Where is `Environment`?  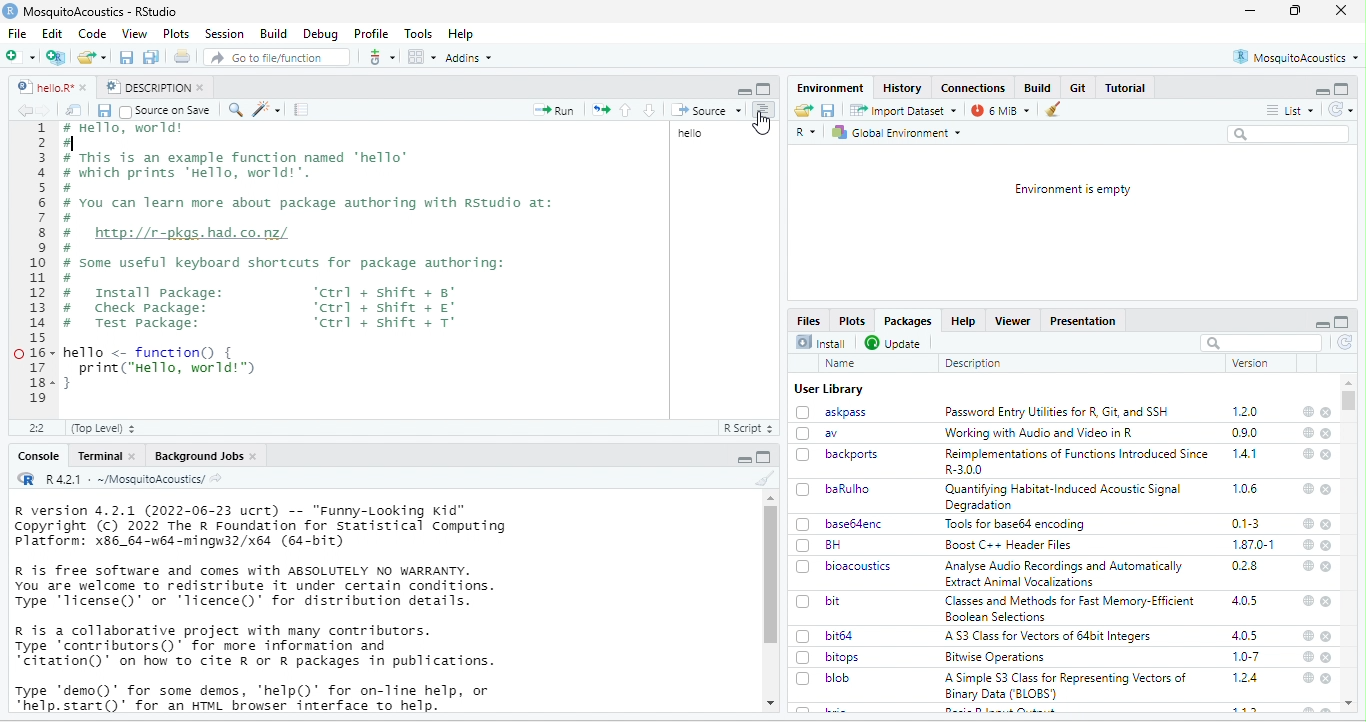
Environment is located at coordinates (828, 87).